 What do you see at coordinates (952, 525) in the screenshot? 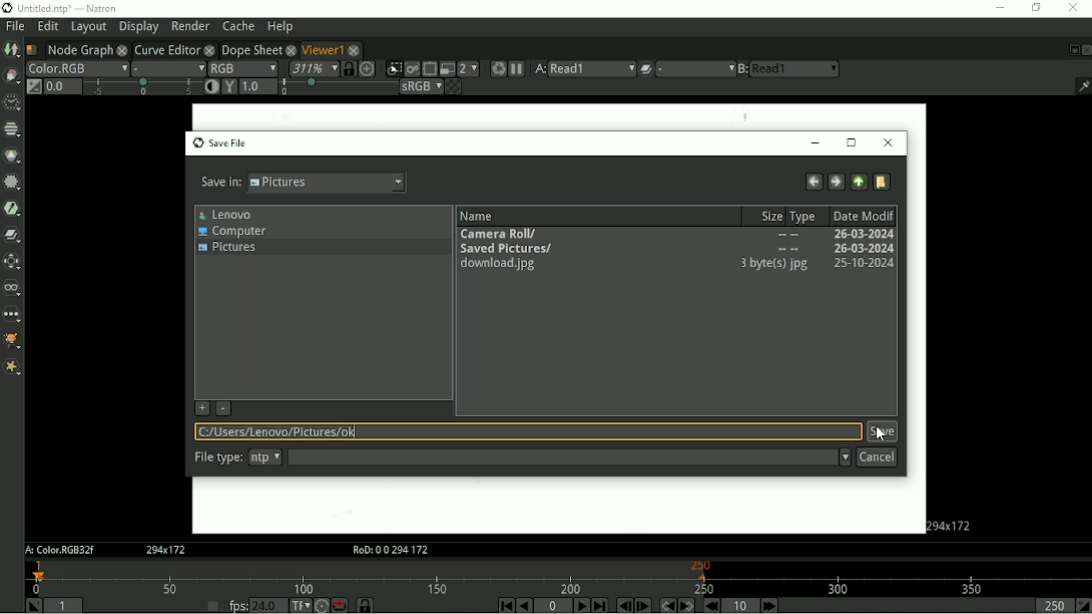
I see `Aspect` at bounding box center [952, 525].